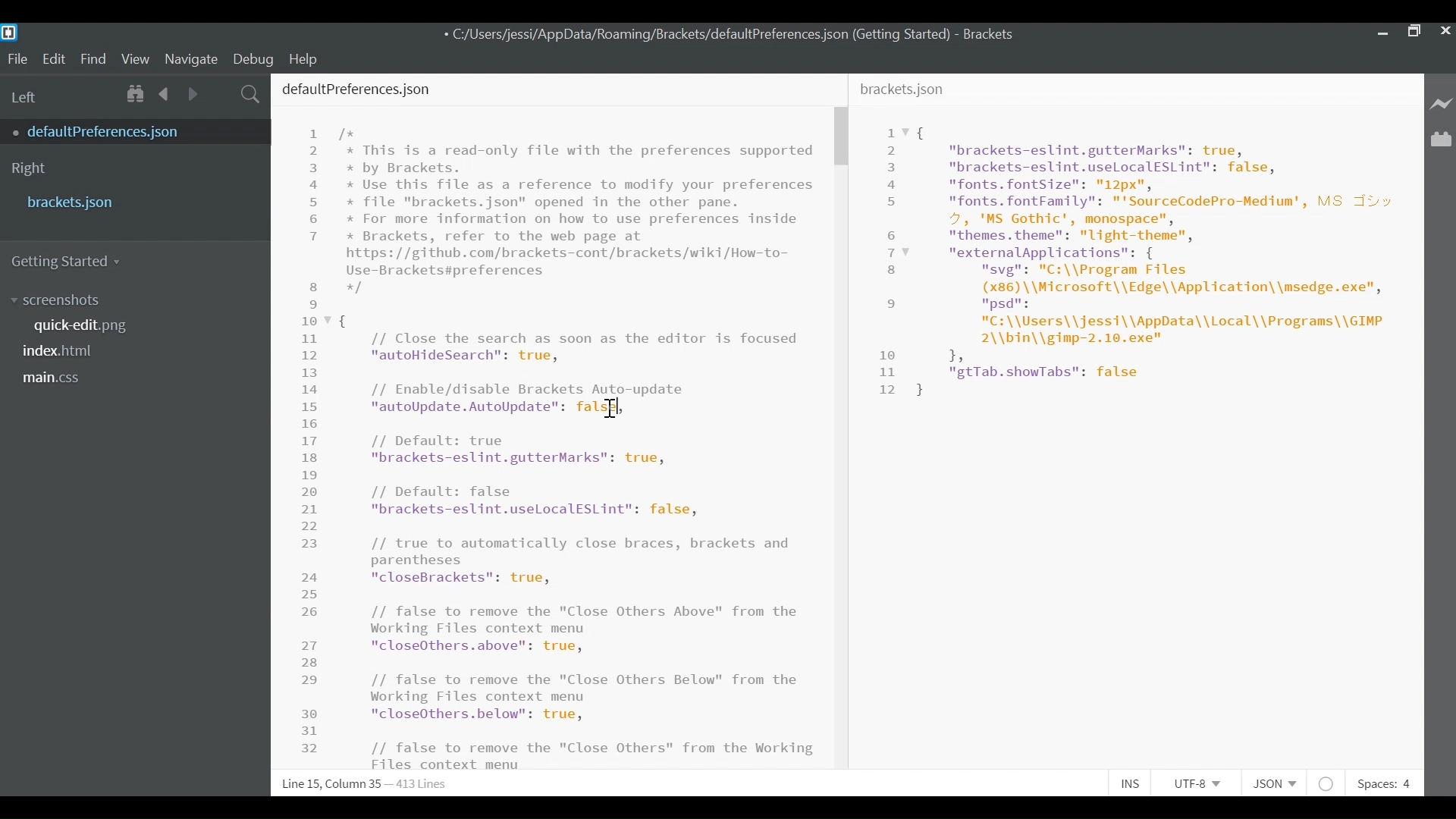 The image size is (1456, 819). Describe the element at coordinates (26, 97) in the screenshot. I see `Left` at that location.